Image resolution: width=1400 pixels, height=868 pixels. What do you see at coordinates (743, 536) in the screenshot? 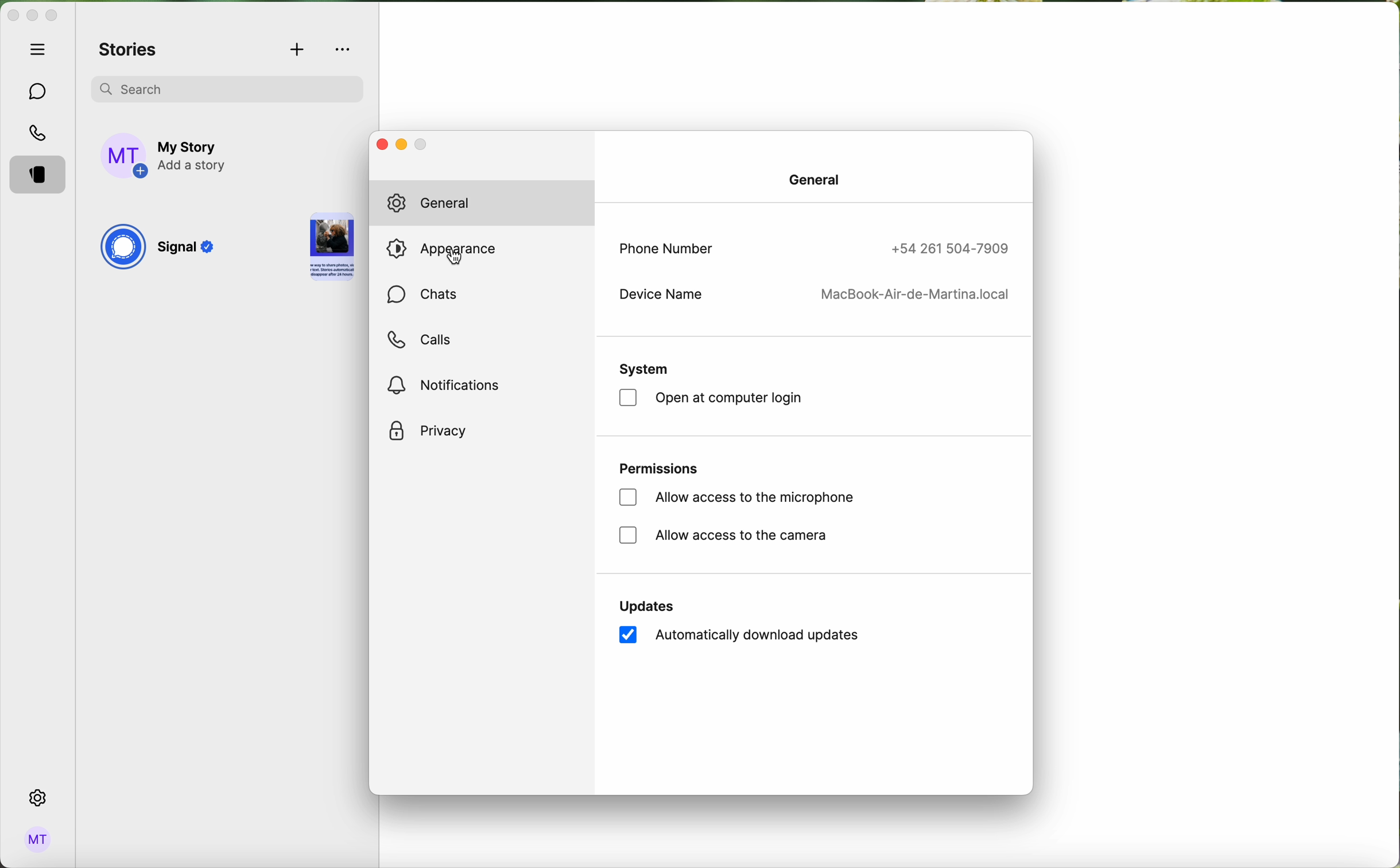
I see `allow access to the camera` at bounding box center [743, 536].